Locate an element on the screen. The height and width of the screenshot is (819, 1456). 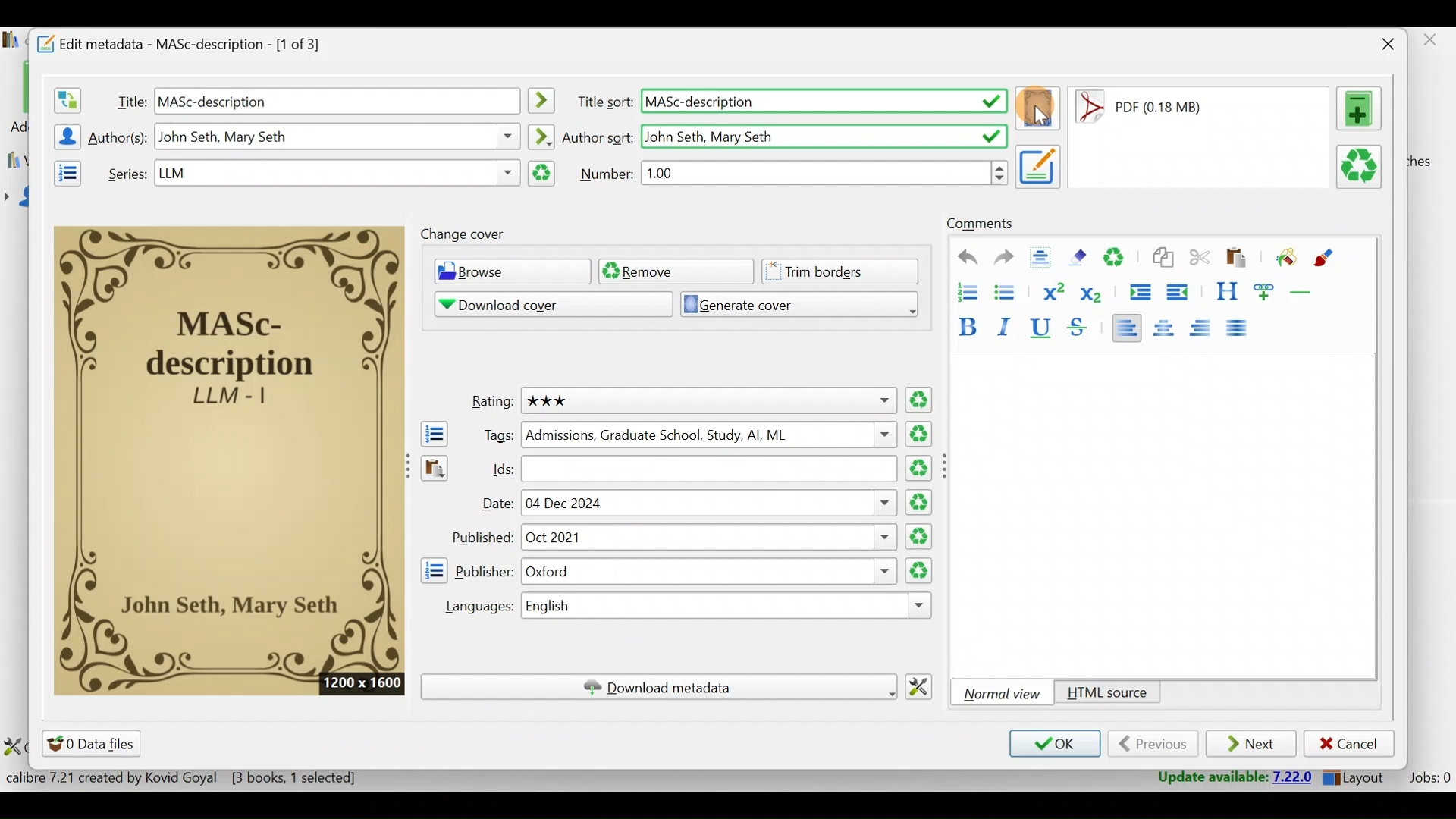
Tags is located at coordinates (494, 435).